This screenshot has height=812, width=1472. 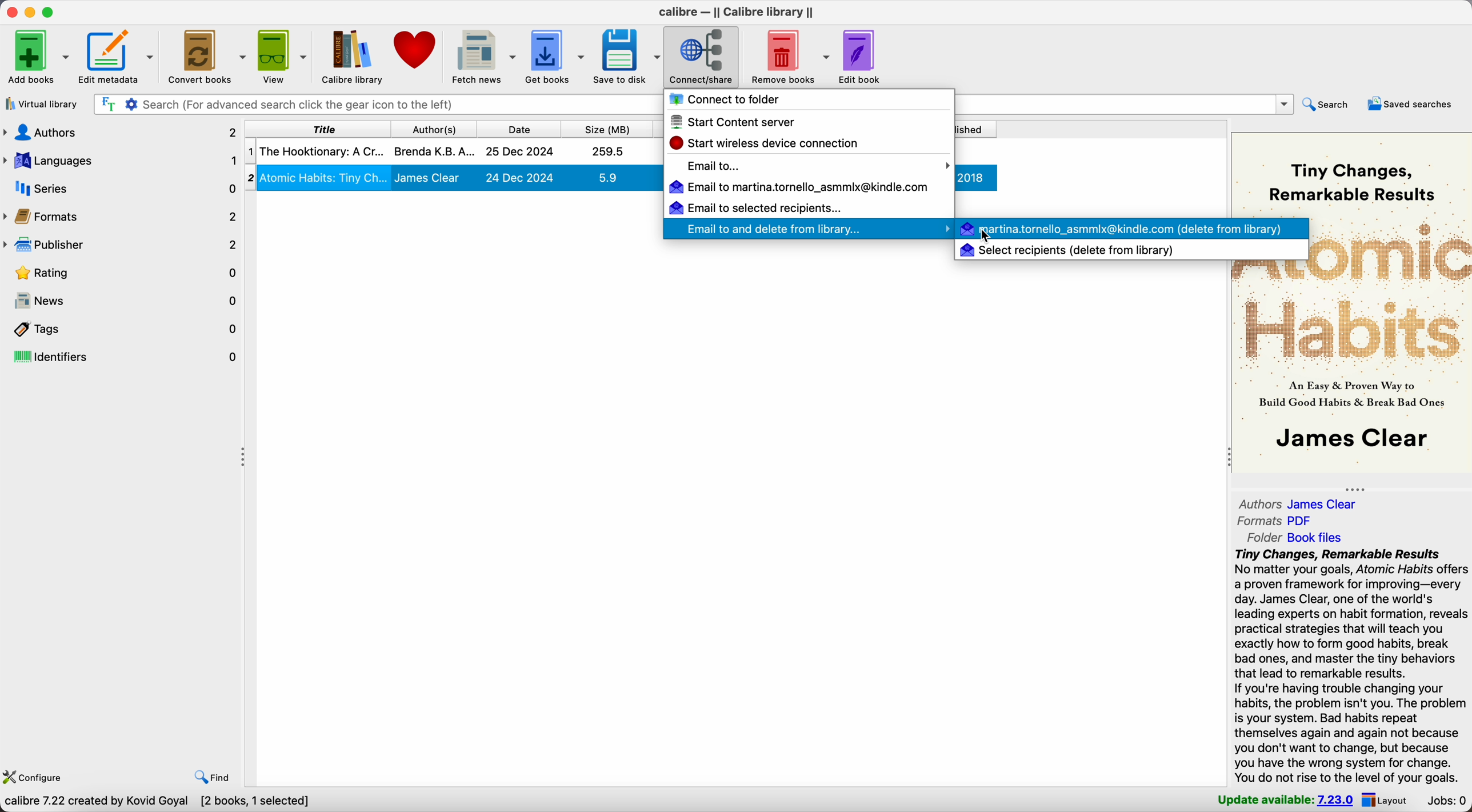 I want to click on series, so click(x=121, y=189).